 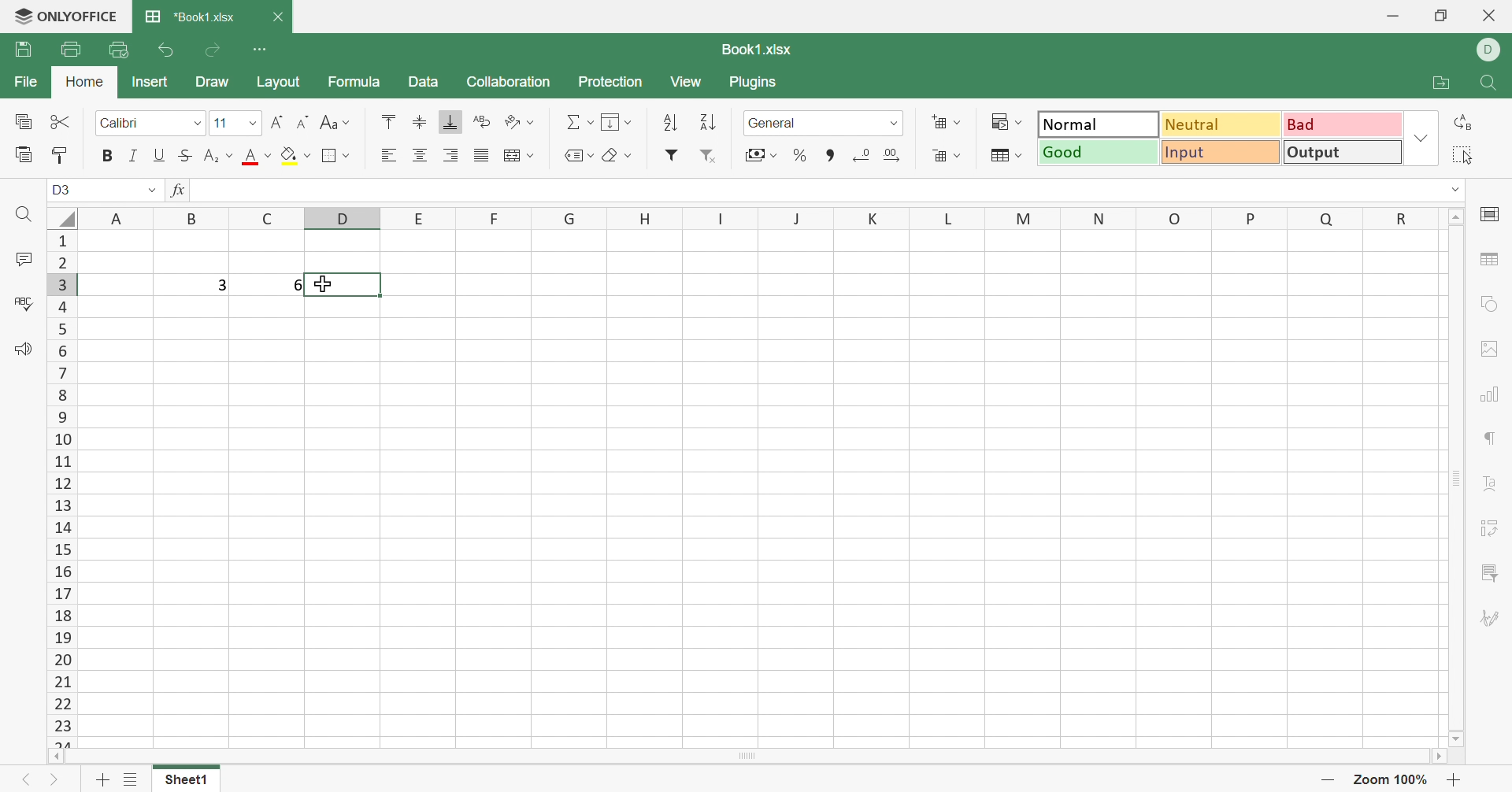 What do you see at coordinates (1455, 779) in the screenshot?
I see `Zoom in` at bounding box center [1455, 779].